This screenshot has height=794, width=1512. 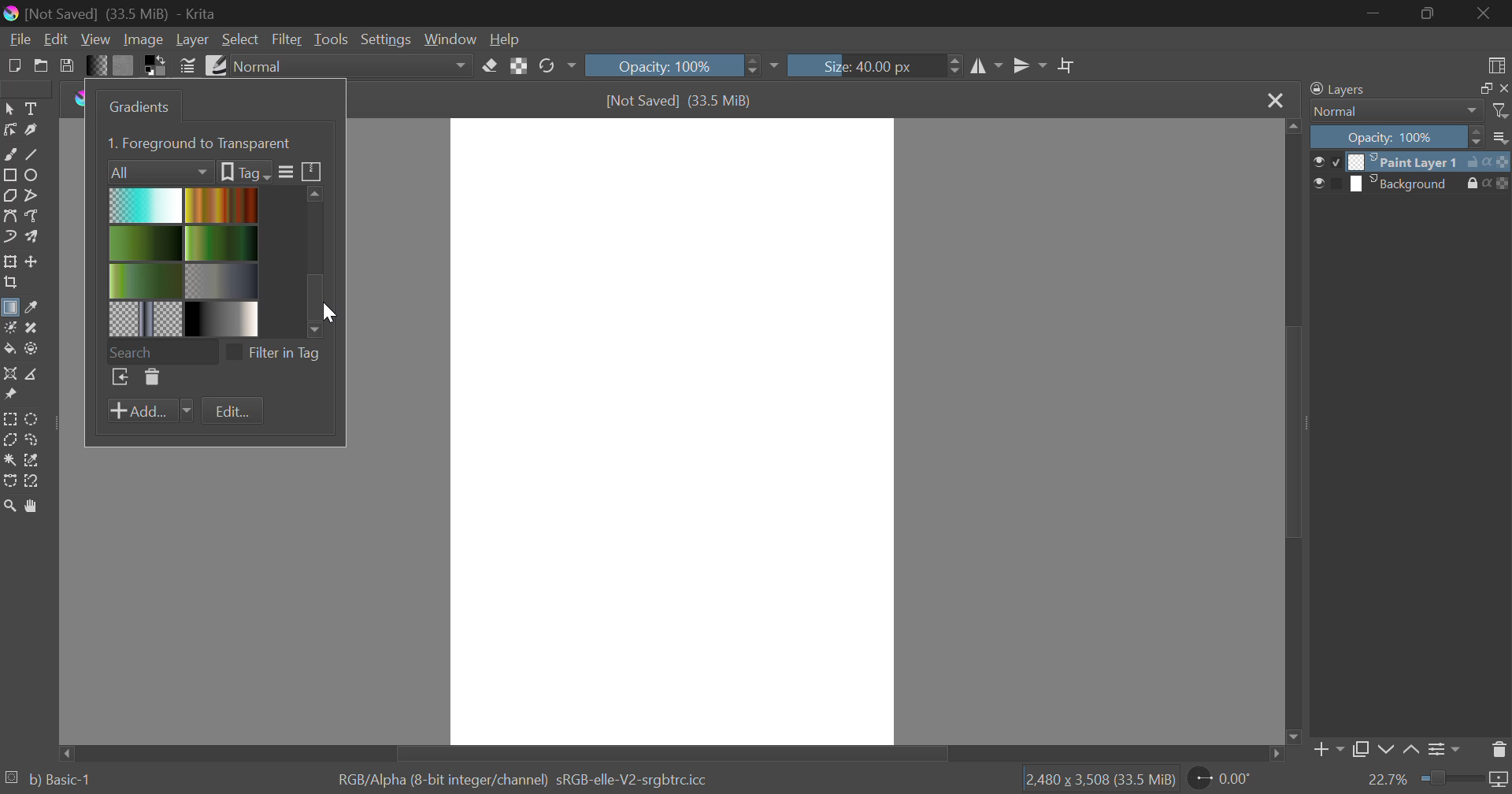 What do you see at coordinates (150, 411) in the screenshot?
I see `Add...` at bounding box center [150, 411].